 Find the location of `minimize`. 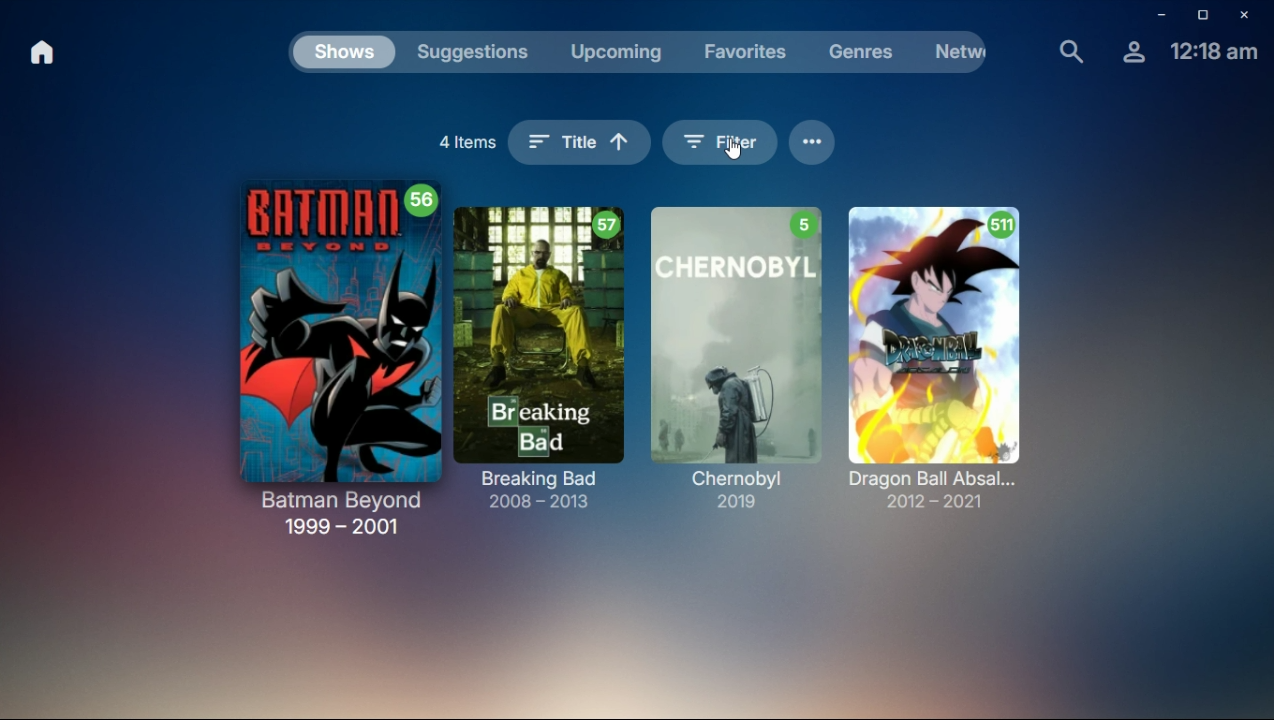

minimize is located at coordinates (1160, 15).